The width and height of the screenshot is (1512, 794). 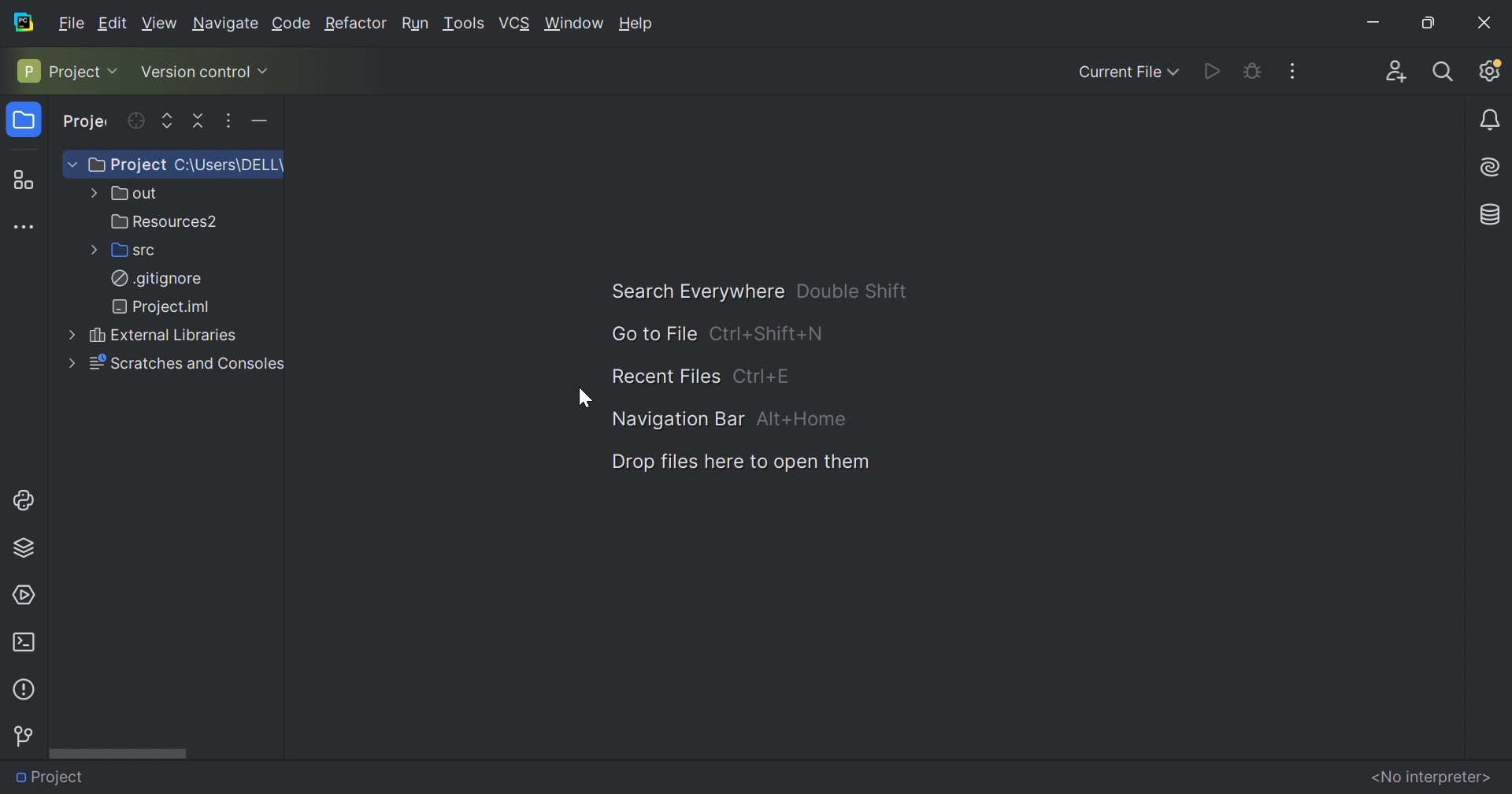 What do you see at coordinates (1493, 165) in the screenshot?
I see `AI assistance` at bounding box center [1493, 165].